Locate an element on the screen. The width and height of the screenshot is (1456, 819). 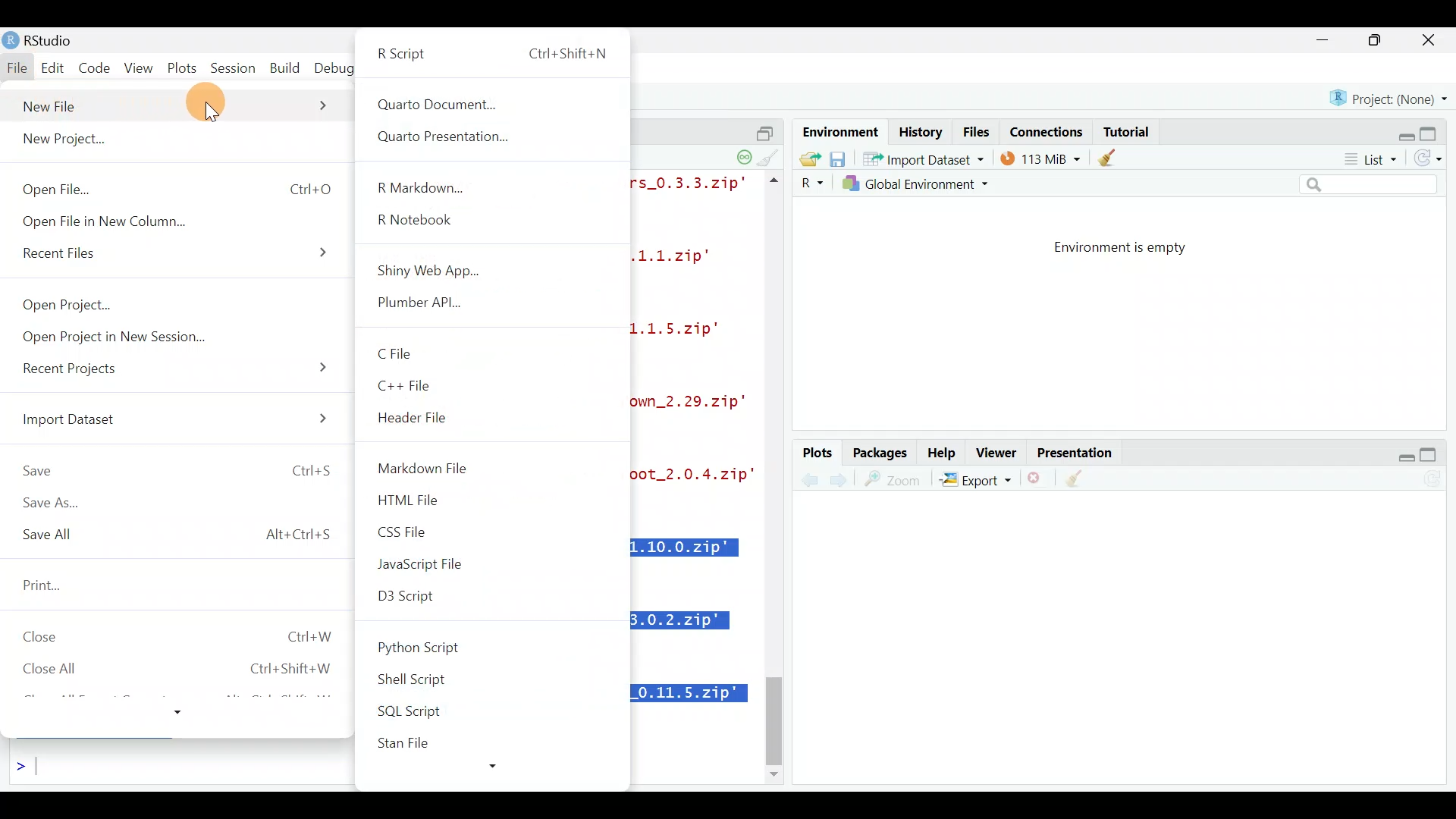
Recent Projects  is located at coordinates (174, 368).